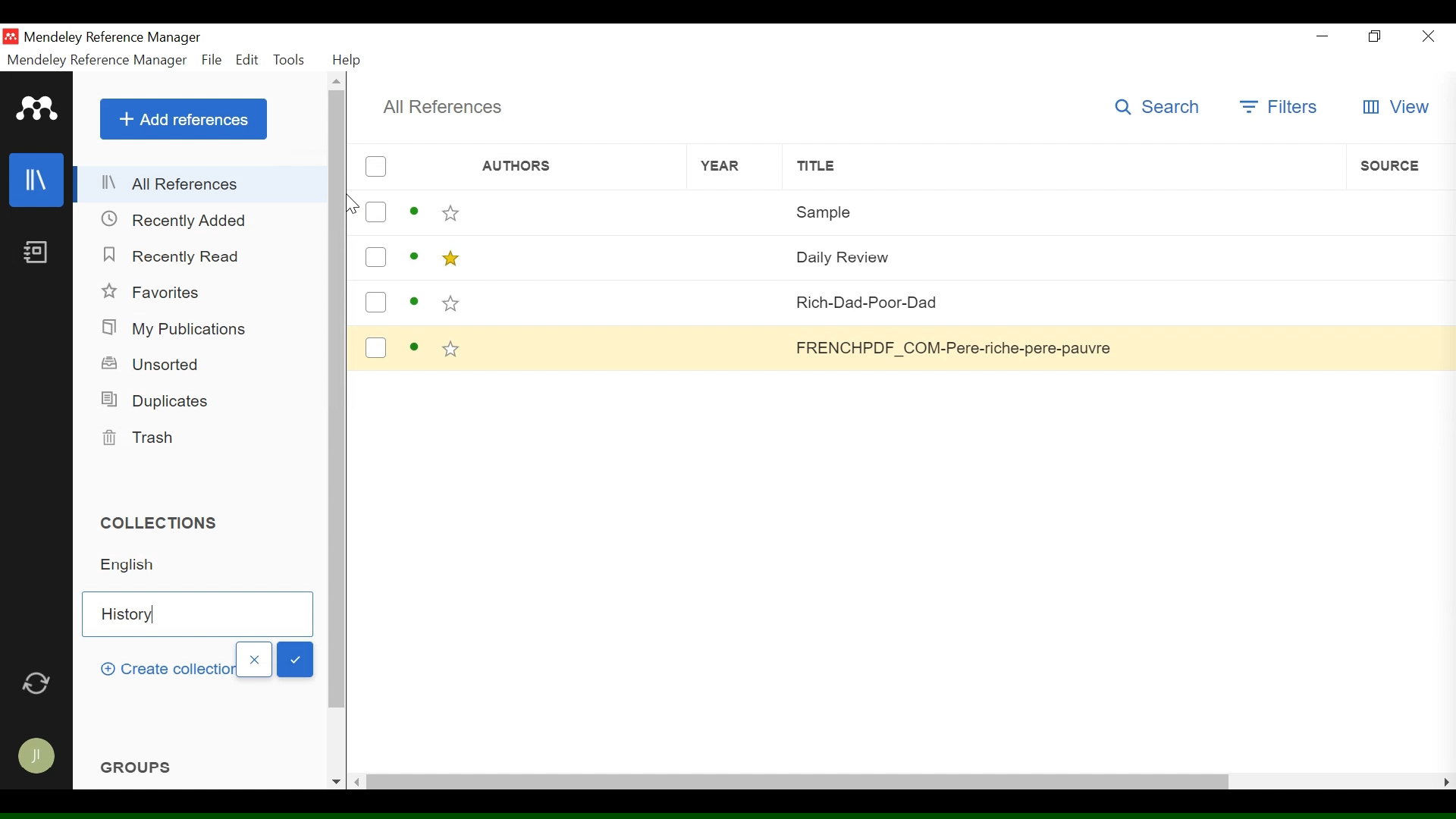 This screenshot has height=819, width=1456. Describe the element at coordinates (184, 119) in the screenshot. I see `Add References` at that location.